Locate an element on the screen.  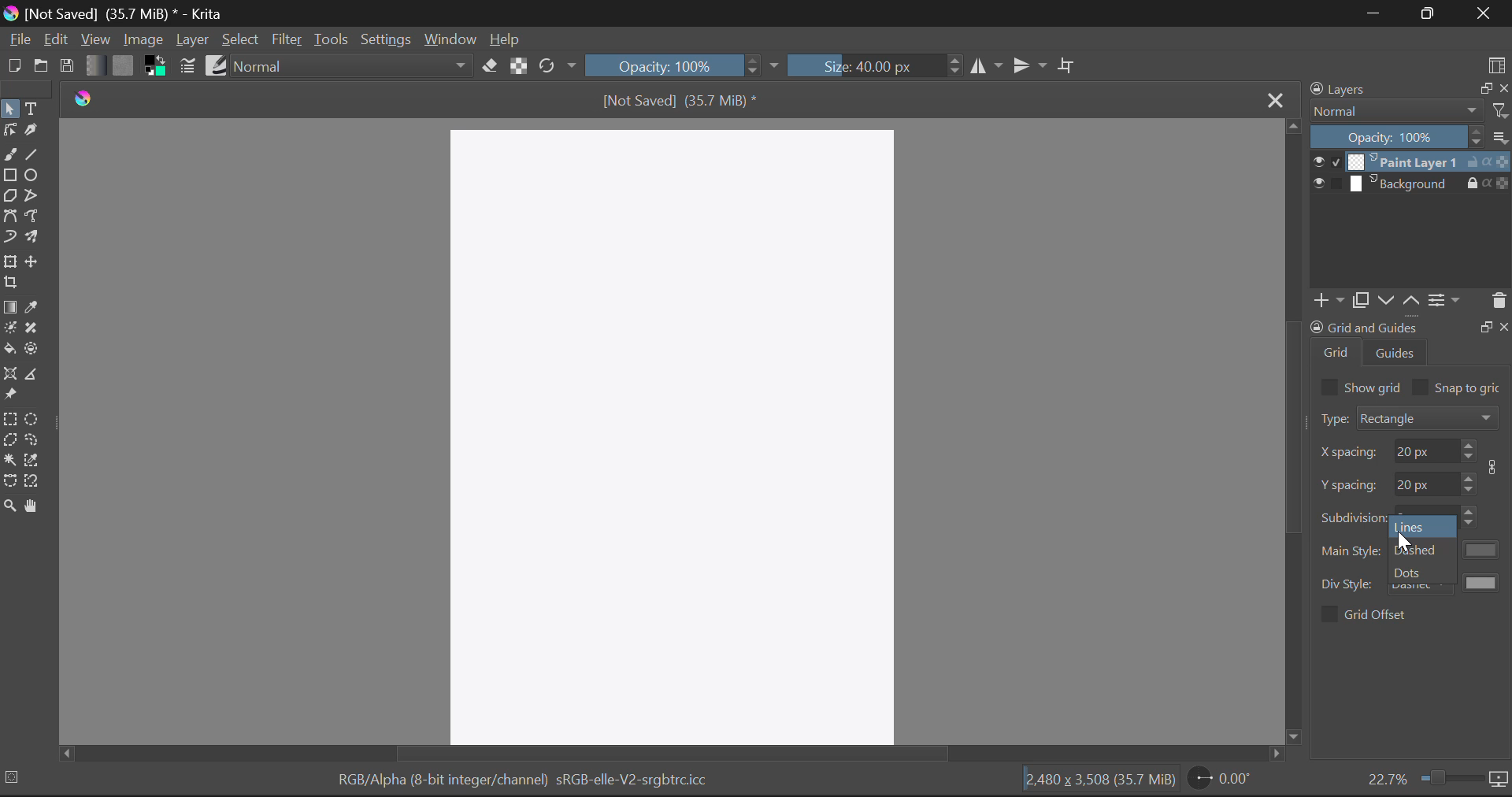
layer 1 is located at coordinates (1403, 161).